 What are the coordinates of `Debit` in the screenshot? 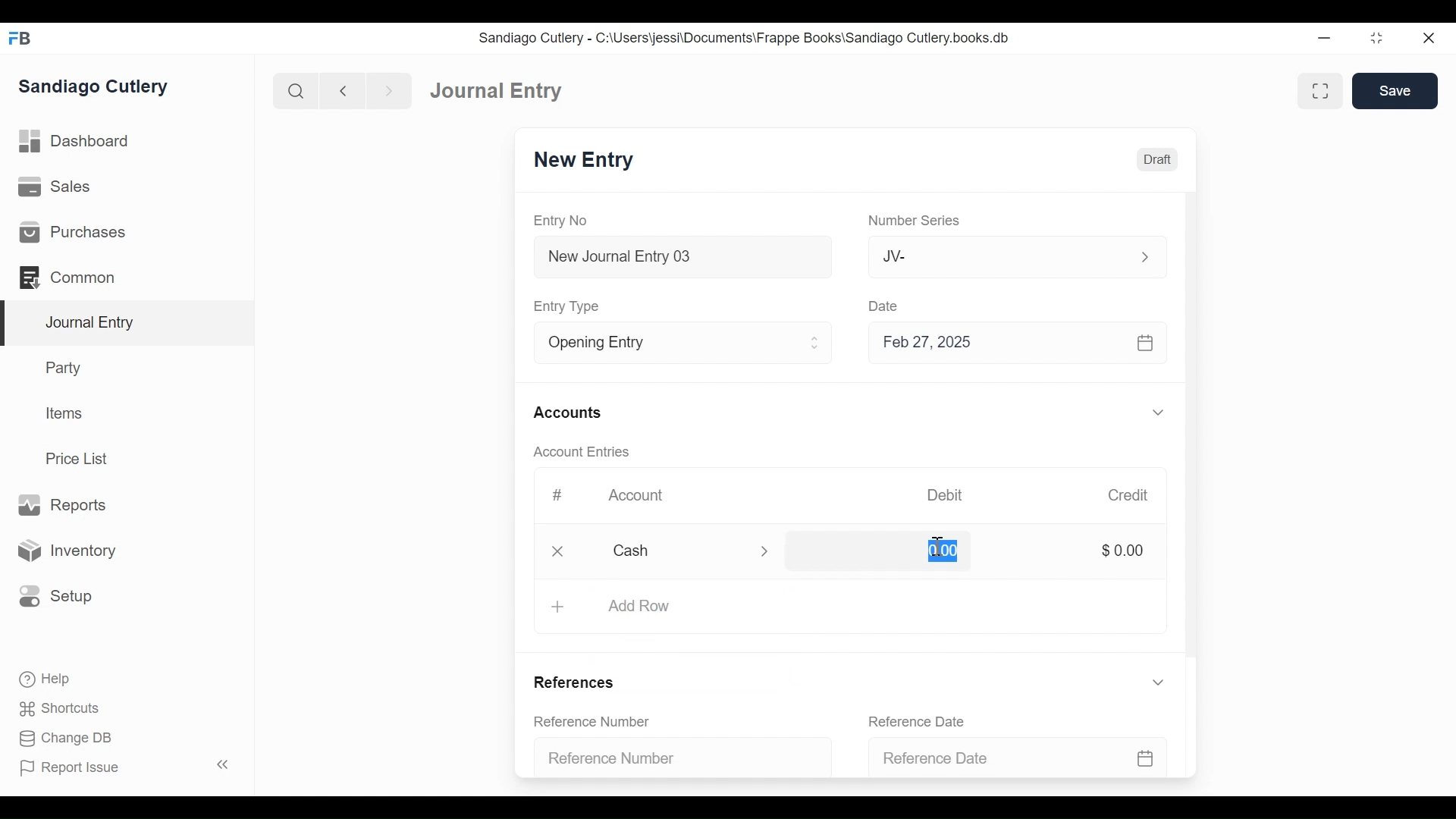 It's located at (946, 494).